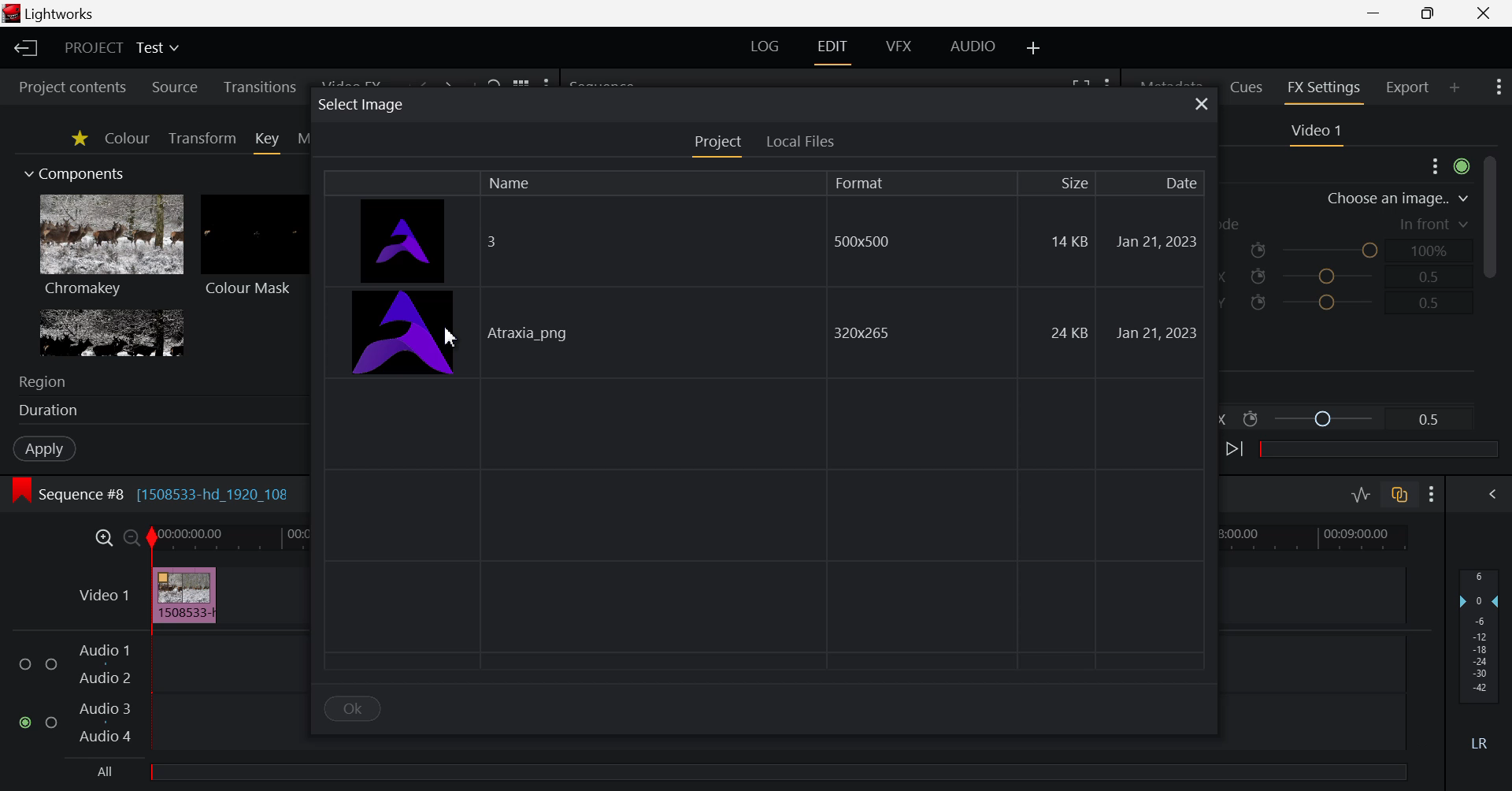  I want to click on Inserted Video Clip, so click(186, 596).